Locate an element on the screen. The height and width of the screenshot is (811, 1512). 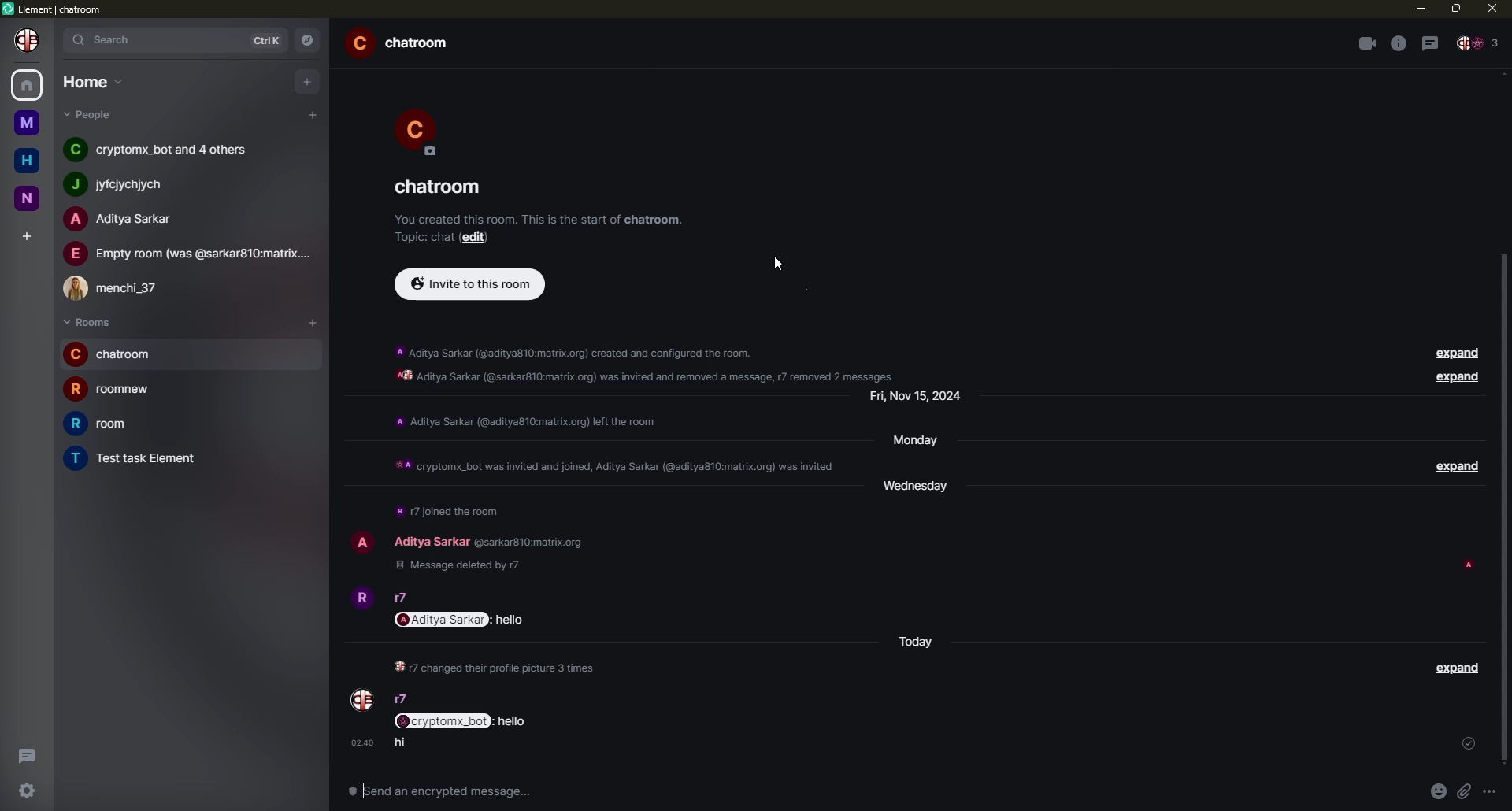
search is located at coordinates (114, 39).